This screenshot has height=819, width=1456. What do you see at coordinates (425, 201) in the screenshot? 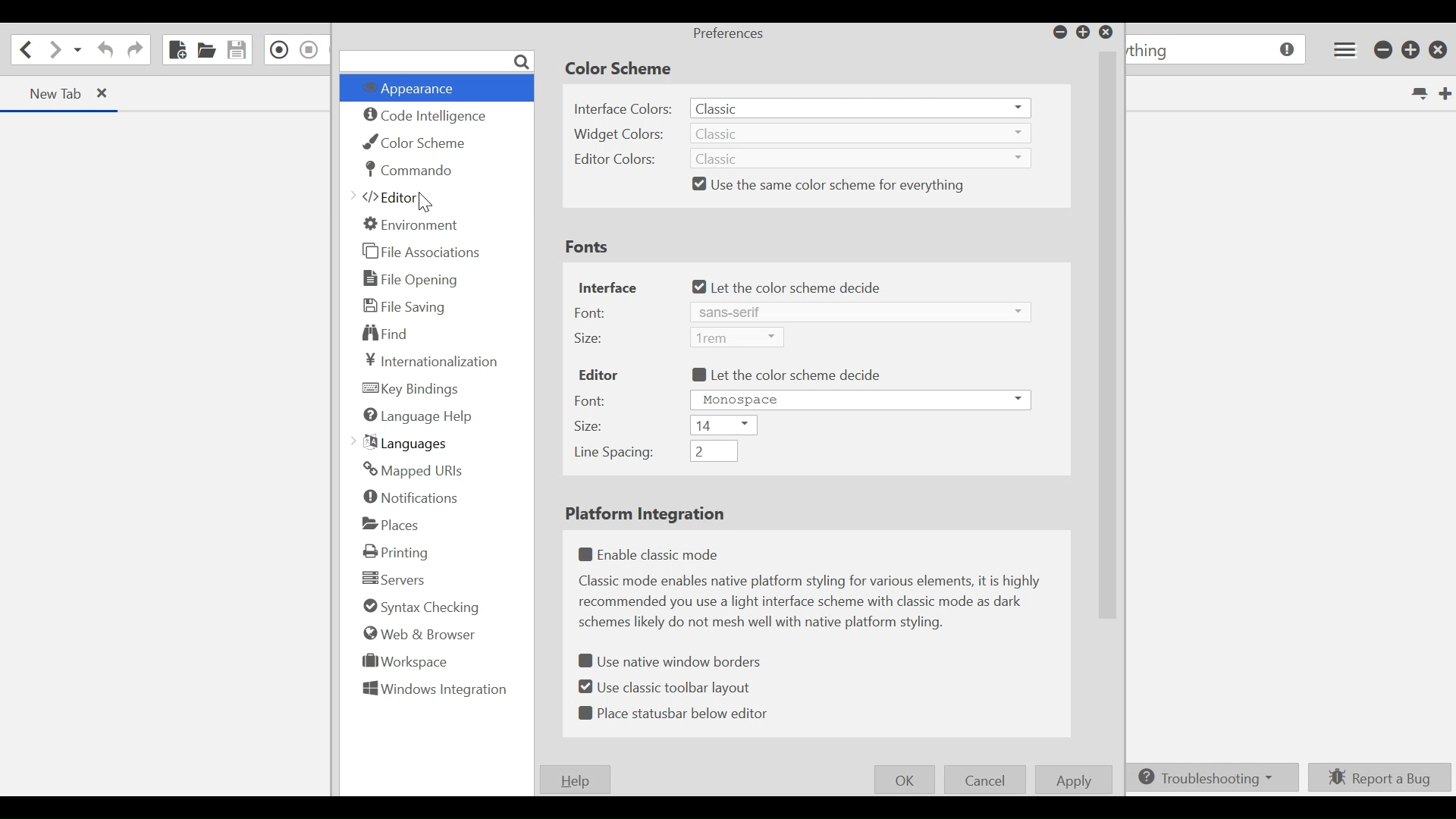
I see `Cursor` at bounding box center [425, 201].